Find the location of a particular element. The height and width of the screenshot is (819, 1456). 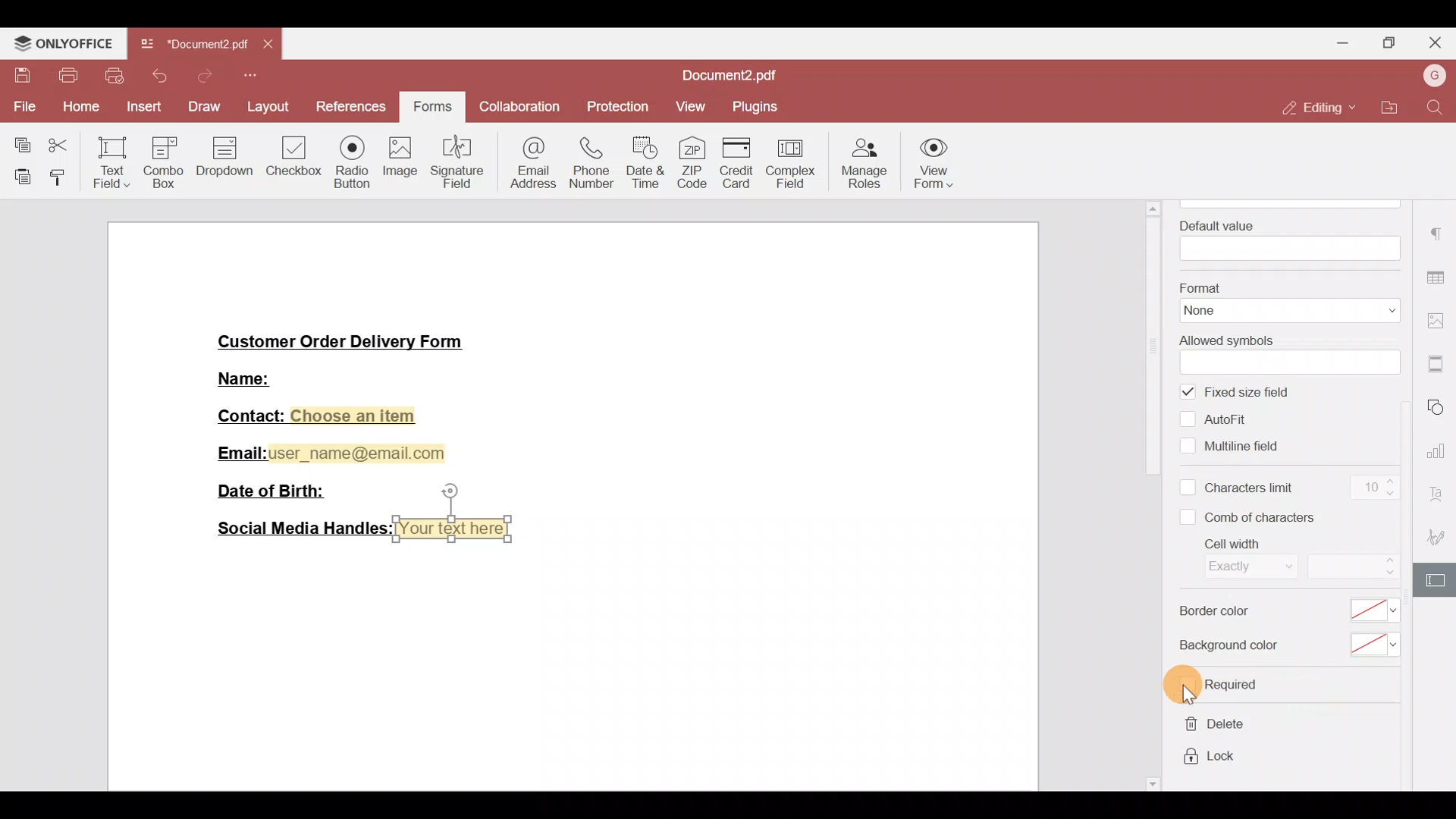

Plugins is located at coordinates (756, 107).